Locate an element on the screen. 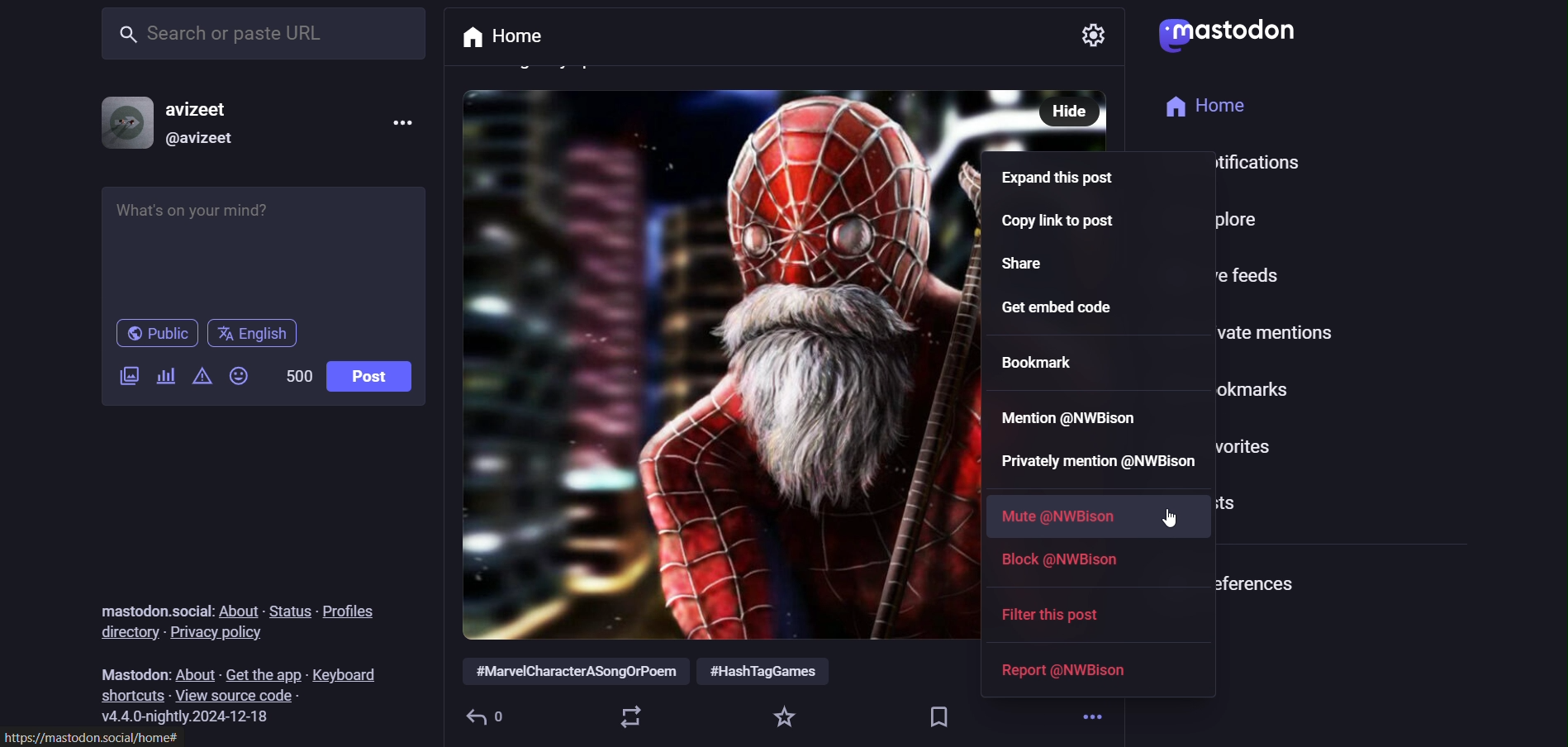 This screenshot has width=1568, height=747. favorites is located at coordinates (786, 716).